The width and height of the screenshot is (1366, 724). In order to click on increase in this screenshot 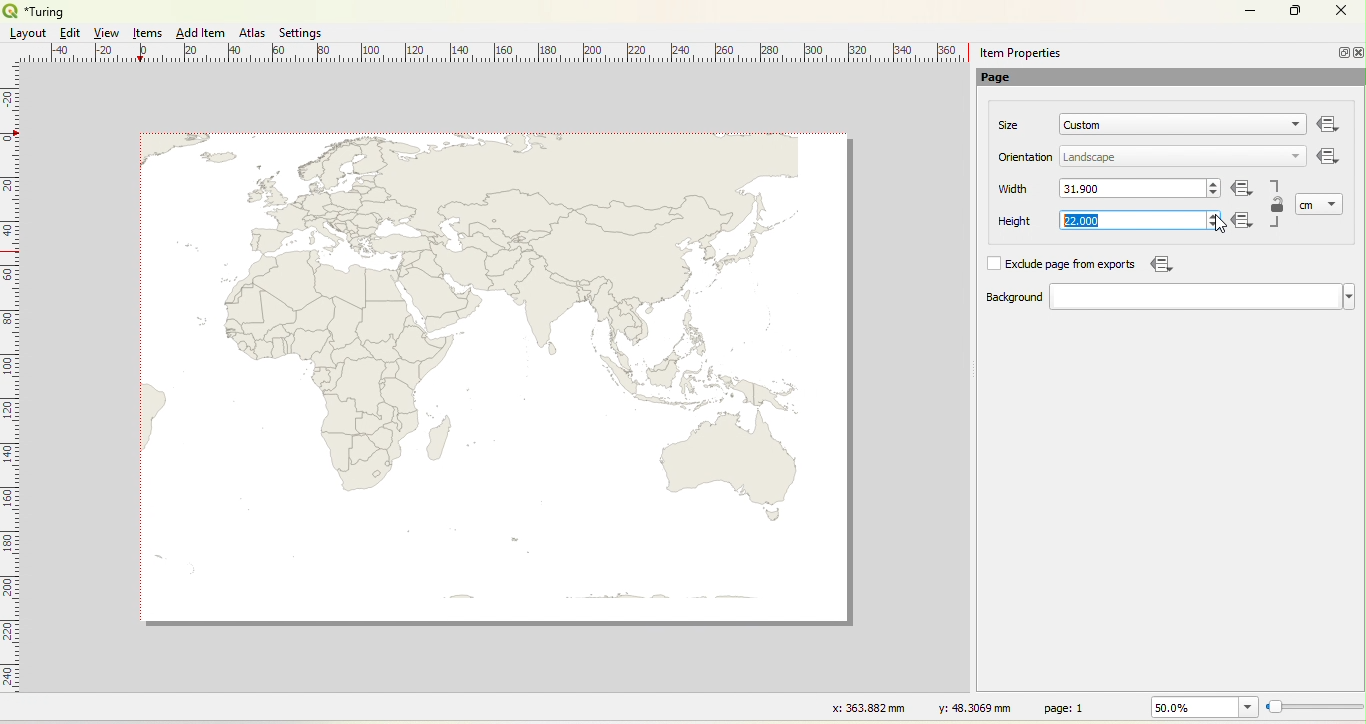, I will do `click(1215, 182)`.